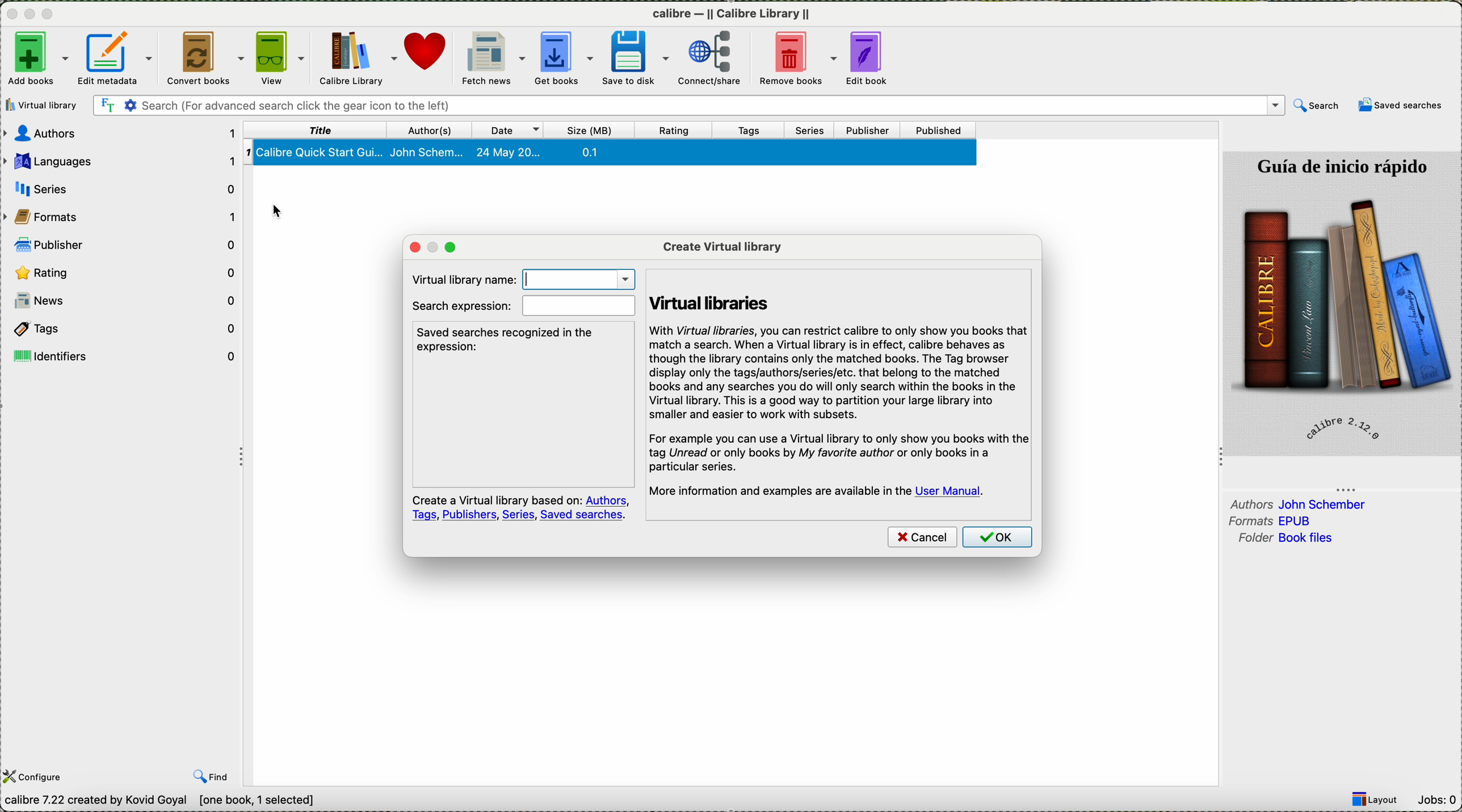  I want to click on tags, so click(125, 329).